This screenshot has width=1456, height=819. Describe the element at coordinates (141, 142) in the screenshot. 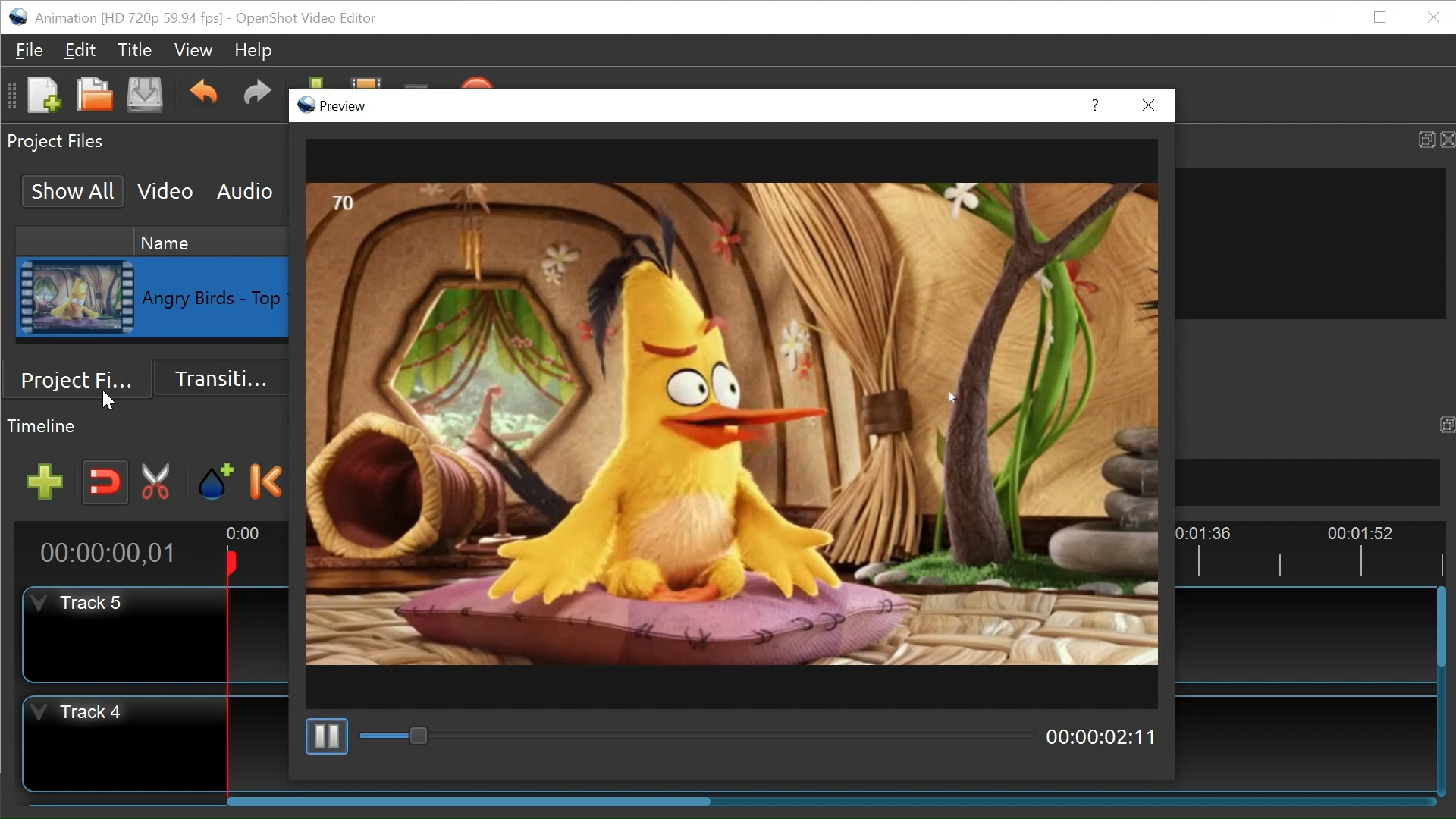

I see `Project Files Panel` at that location.